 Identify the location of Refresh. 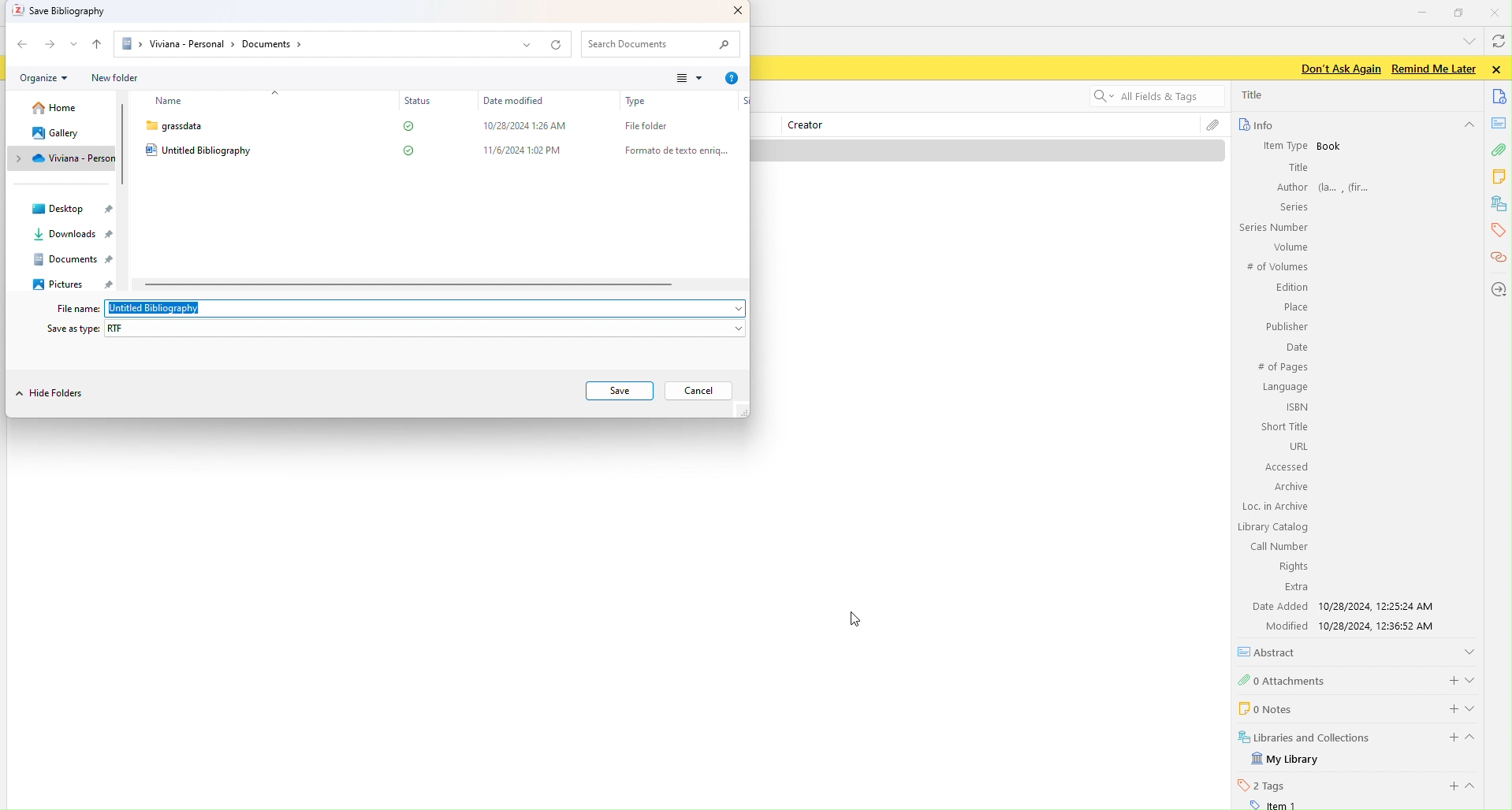
(558, 44).